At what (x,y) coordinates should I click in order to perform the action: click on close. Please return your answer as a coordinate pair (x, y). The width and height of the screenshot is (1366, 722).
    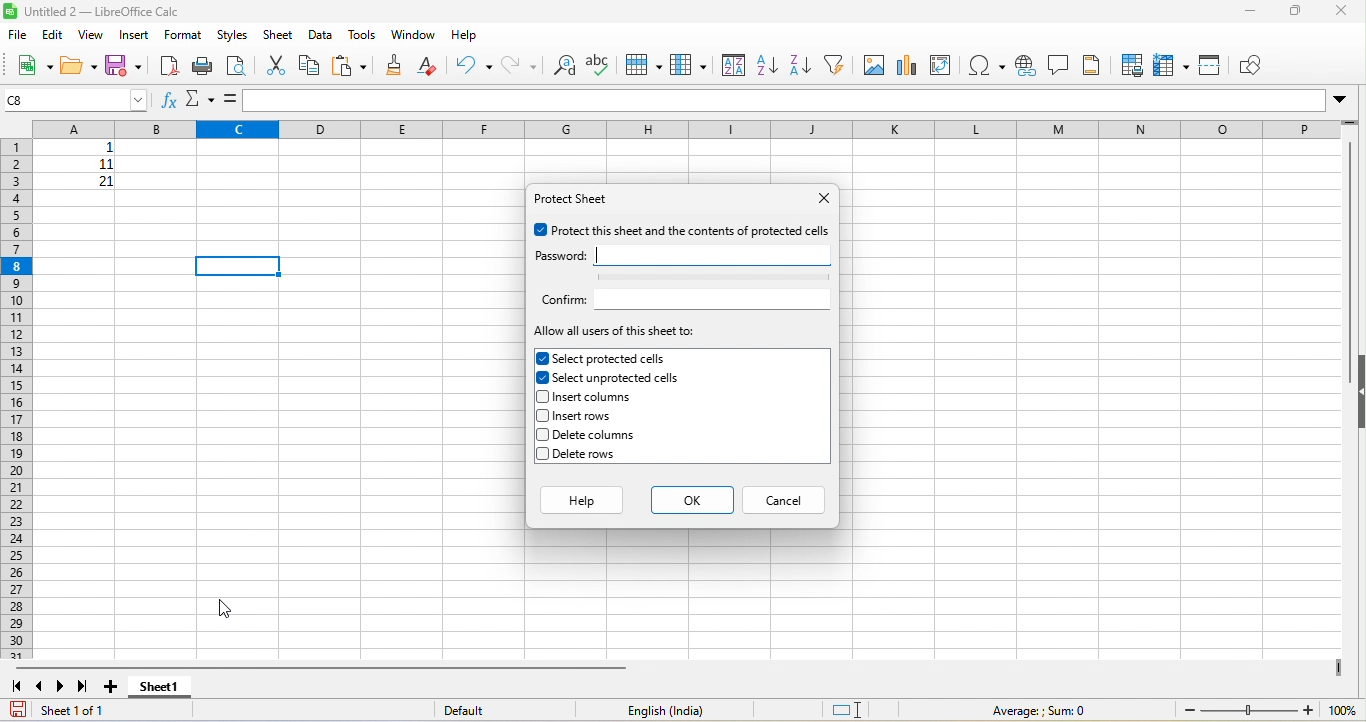
    Looking at the image, I should click on (1345, 11).